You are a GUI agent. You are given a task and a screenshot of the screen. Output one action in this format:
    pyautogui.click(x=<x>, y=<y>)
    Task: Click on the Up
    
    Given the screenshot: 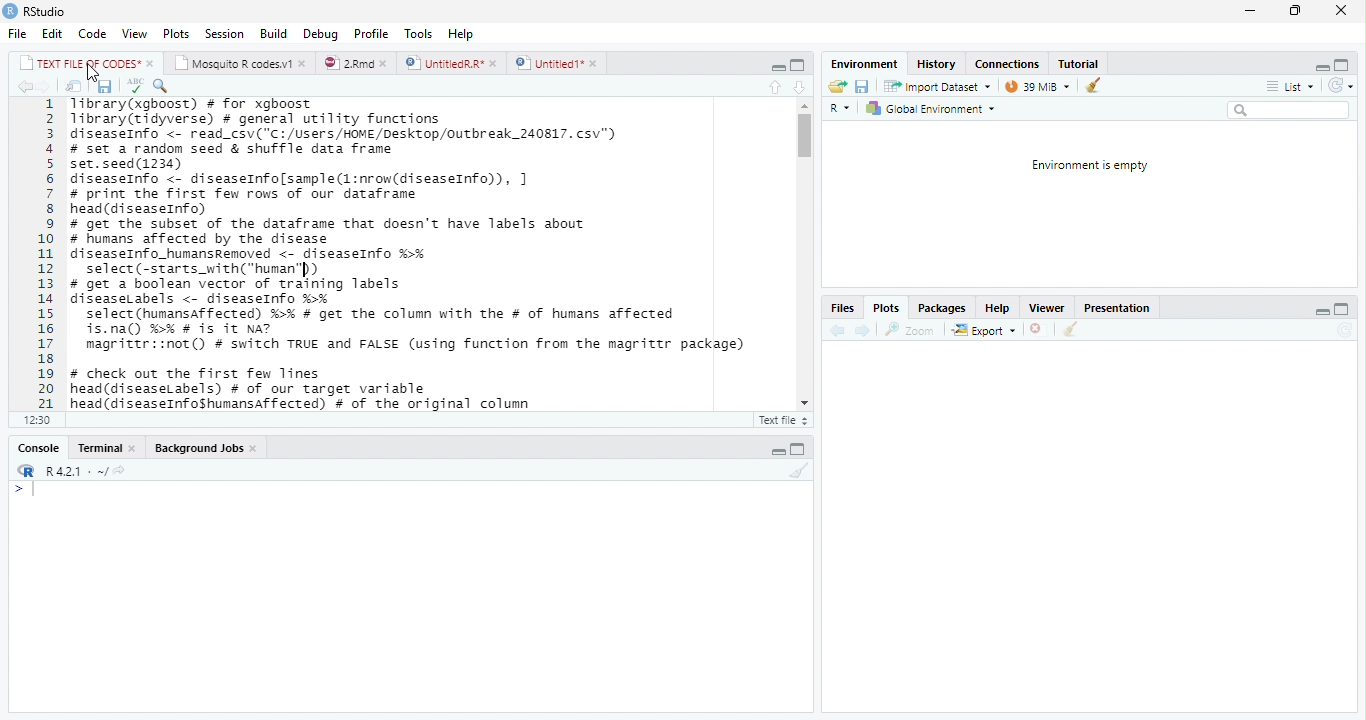 What is the action you would take?
    pyautogui.click(x=772, y=85)
    